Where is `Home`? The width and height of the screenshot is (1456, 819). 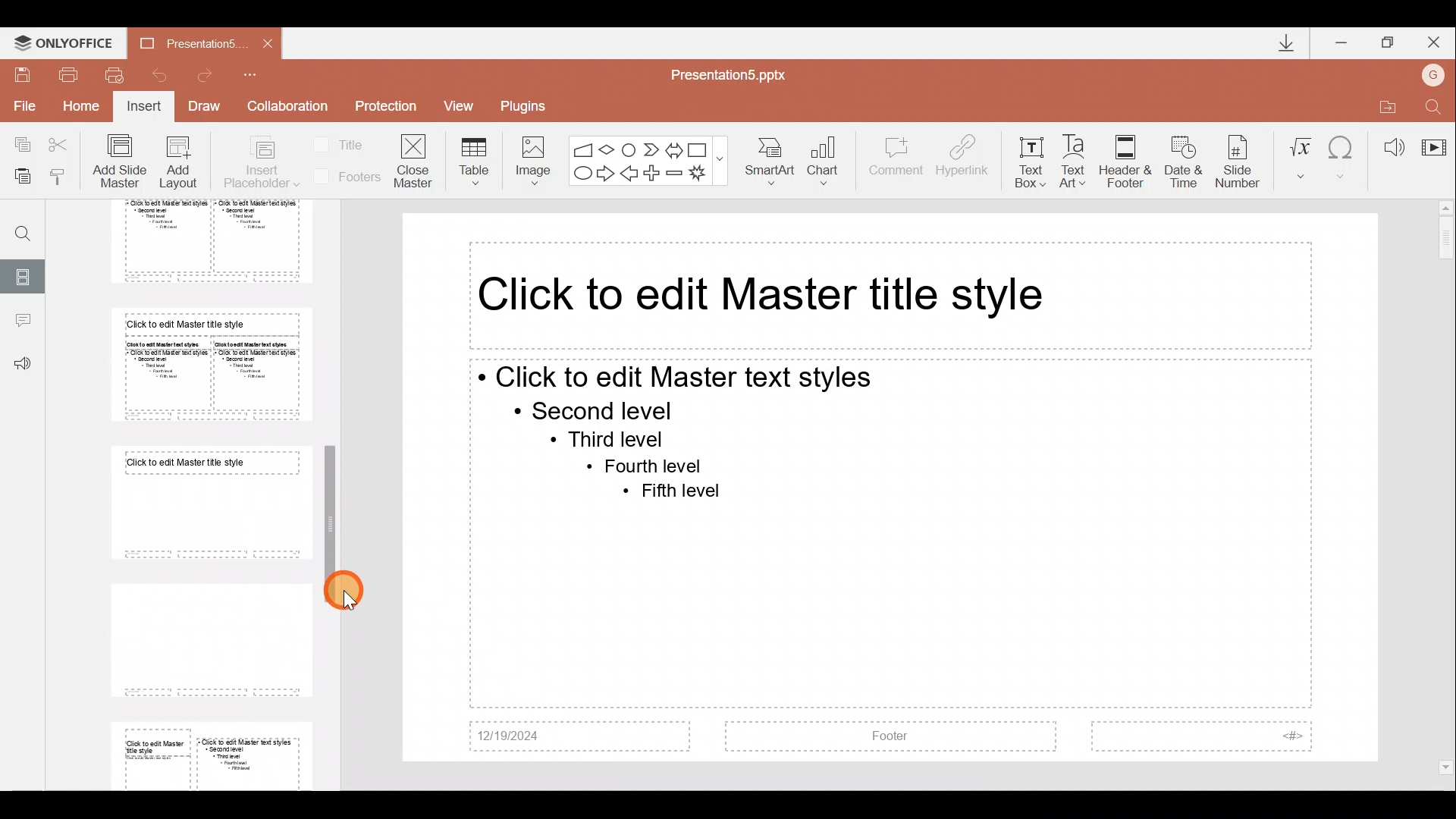
Home is located at coordinates (83, 110).